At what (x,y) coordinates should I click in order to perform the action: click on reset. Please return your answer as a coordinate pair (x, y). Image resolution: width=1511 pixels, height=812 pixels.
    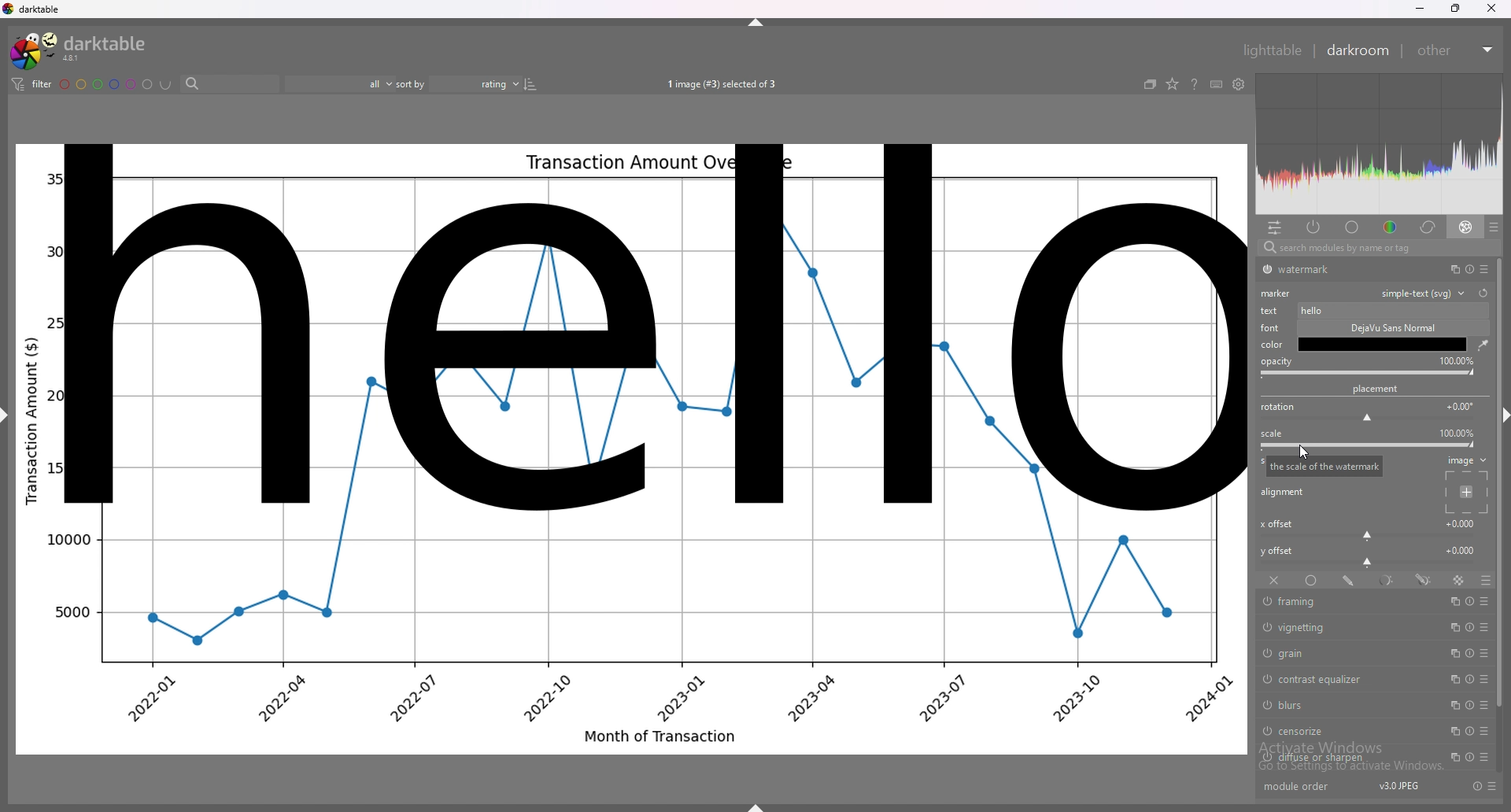
    Looking at the image, I should click on (1468, 269).